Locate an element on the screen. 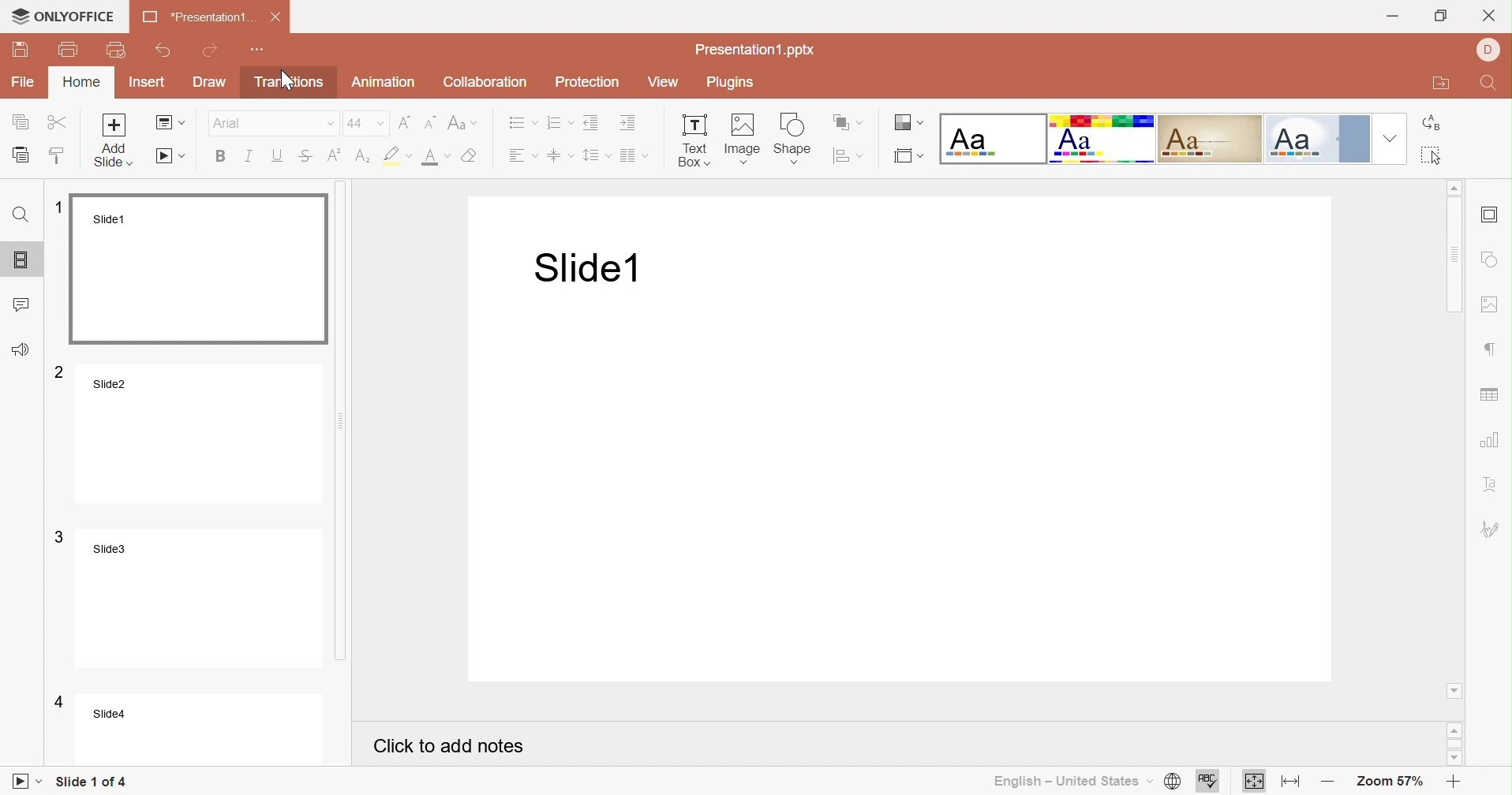 This screenshot has width=1512, height=795. Fit to width is located at coordinates (1293, 783).